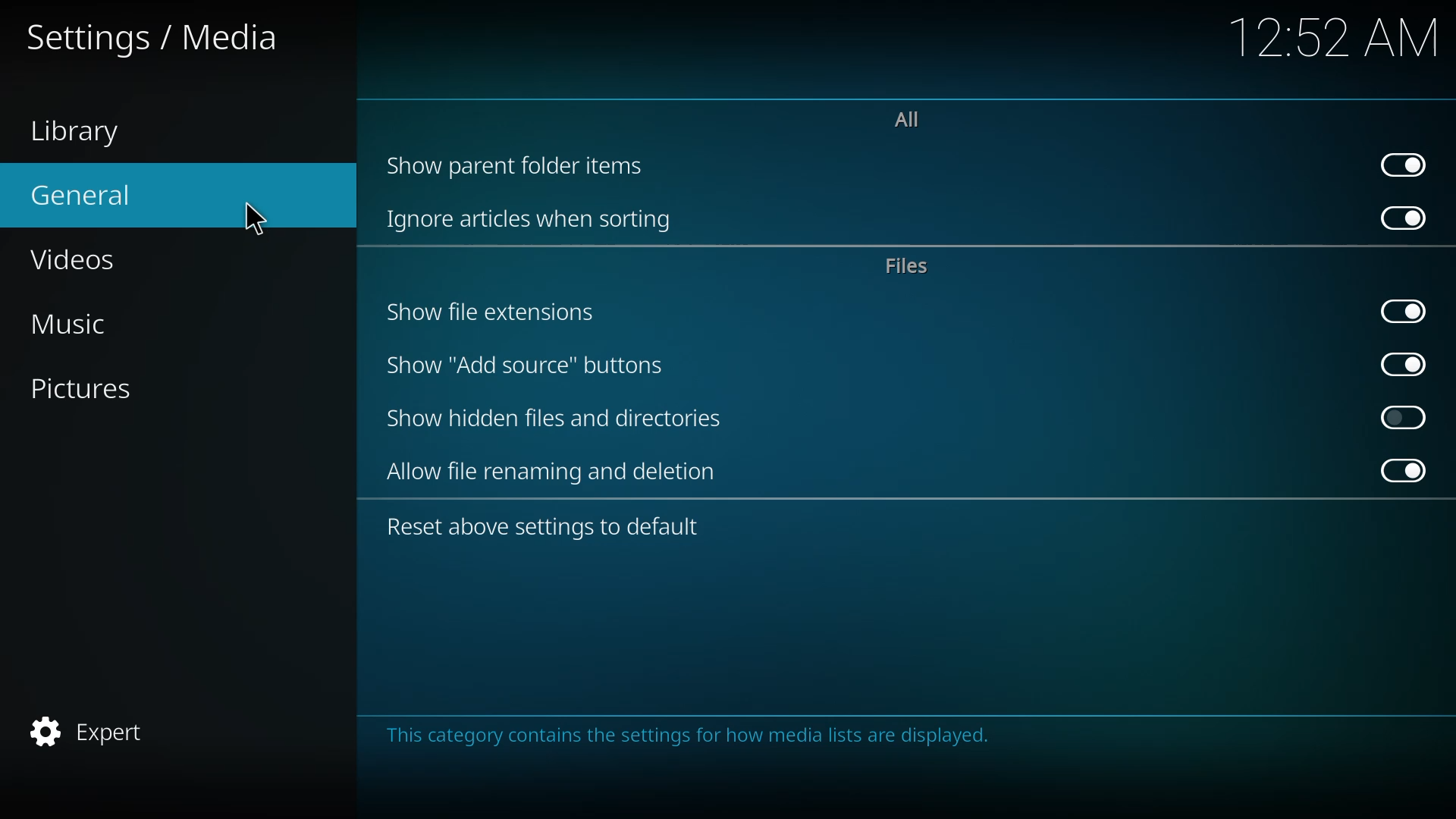 The width and height of the screenshot is (1456, 819). I want to click on settings /media, so click(153, 42).